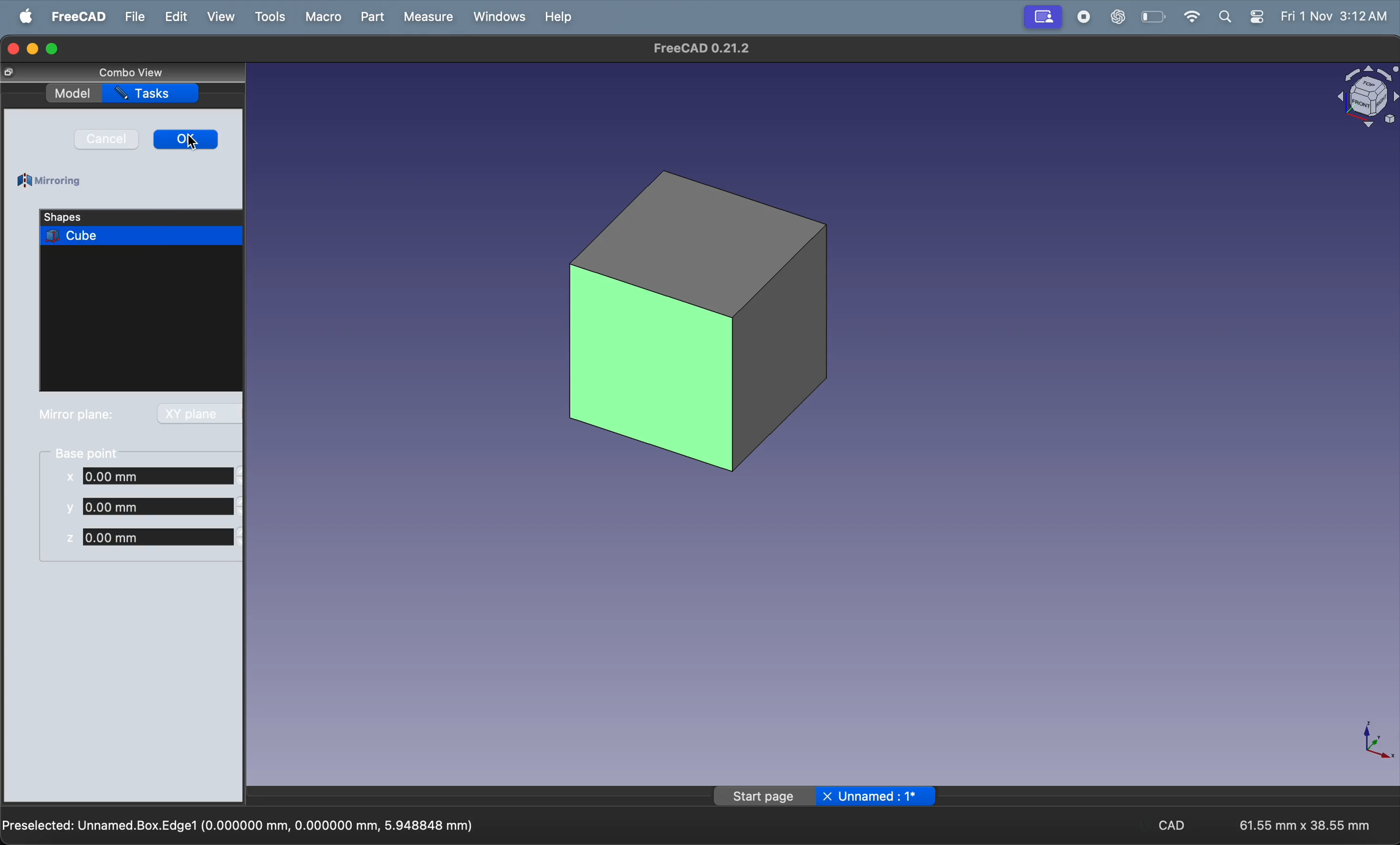 The image size is (1400, 845). What do you see at coordinates (1305, 825) in the screenshot?
I see `61.55 mm x 38.55 mm` at bounding box center [1305, 825].